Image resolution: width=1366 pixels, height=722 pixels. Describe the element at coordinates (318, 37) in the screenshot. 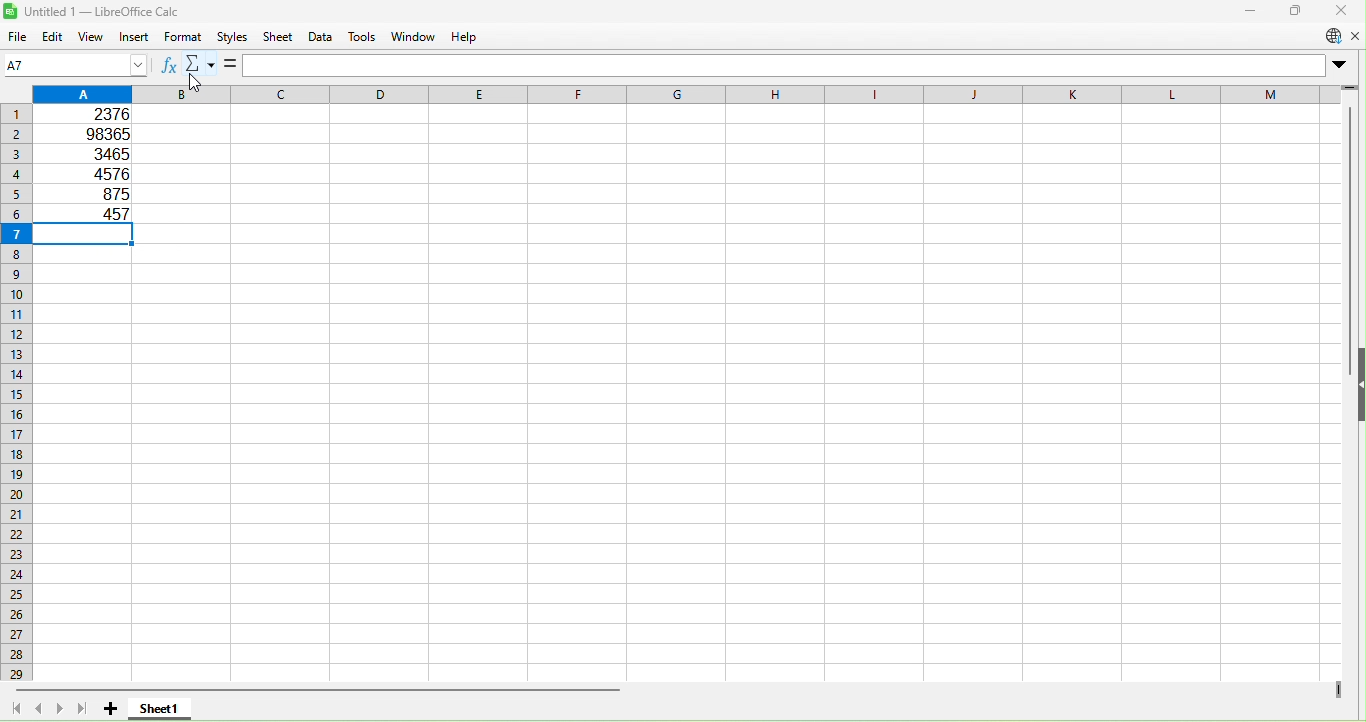

I see `Data` at that location.